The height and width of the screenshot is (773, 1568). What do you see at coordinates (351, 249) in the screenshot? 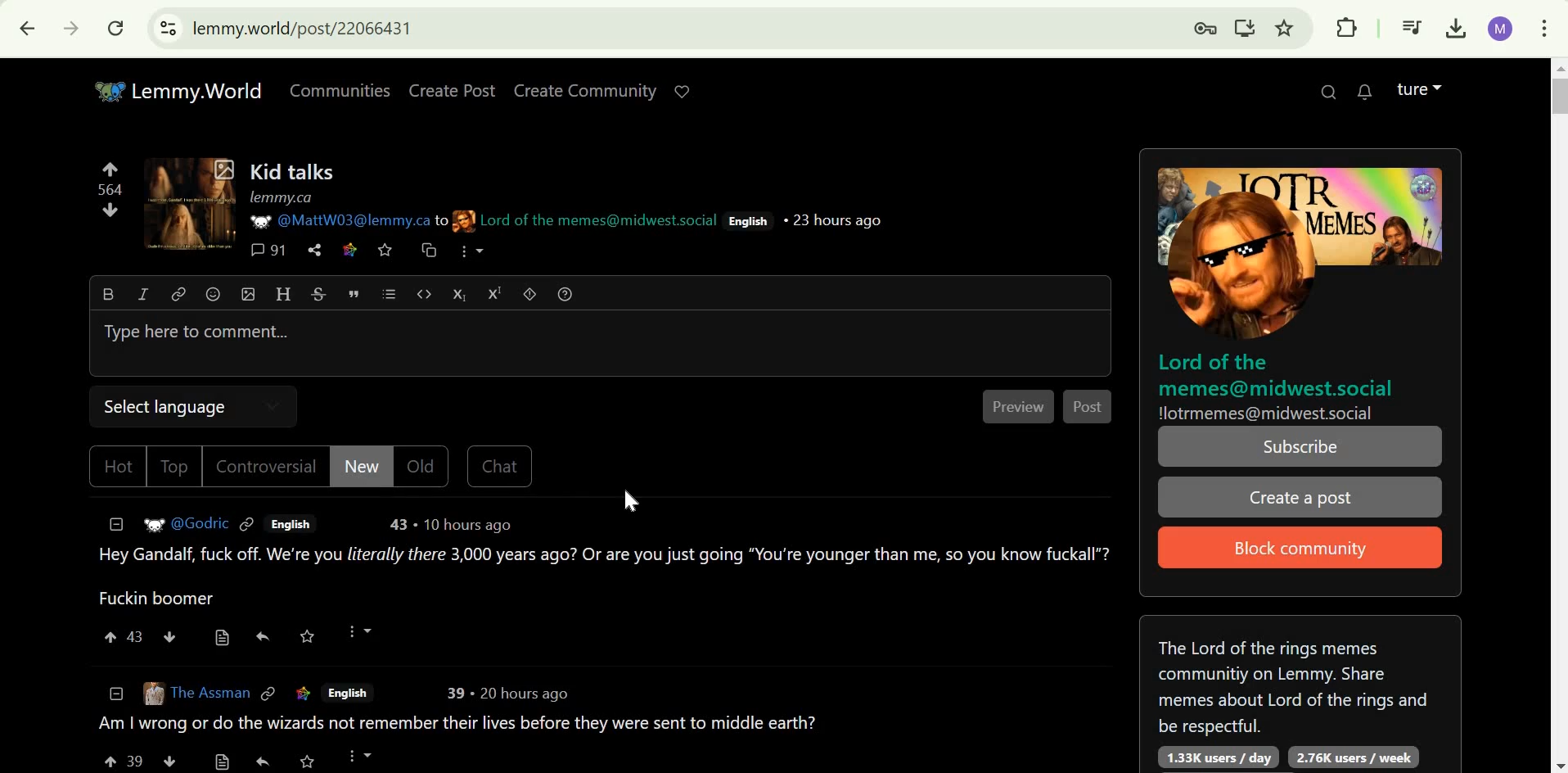
I see `link` at bounding box center [351, 249].